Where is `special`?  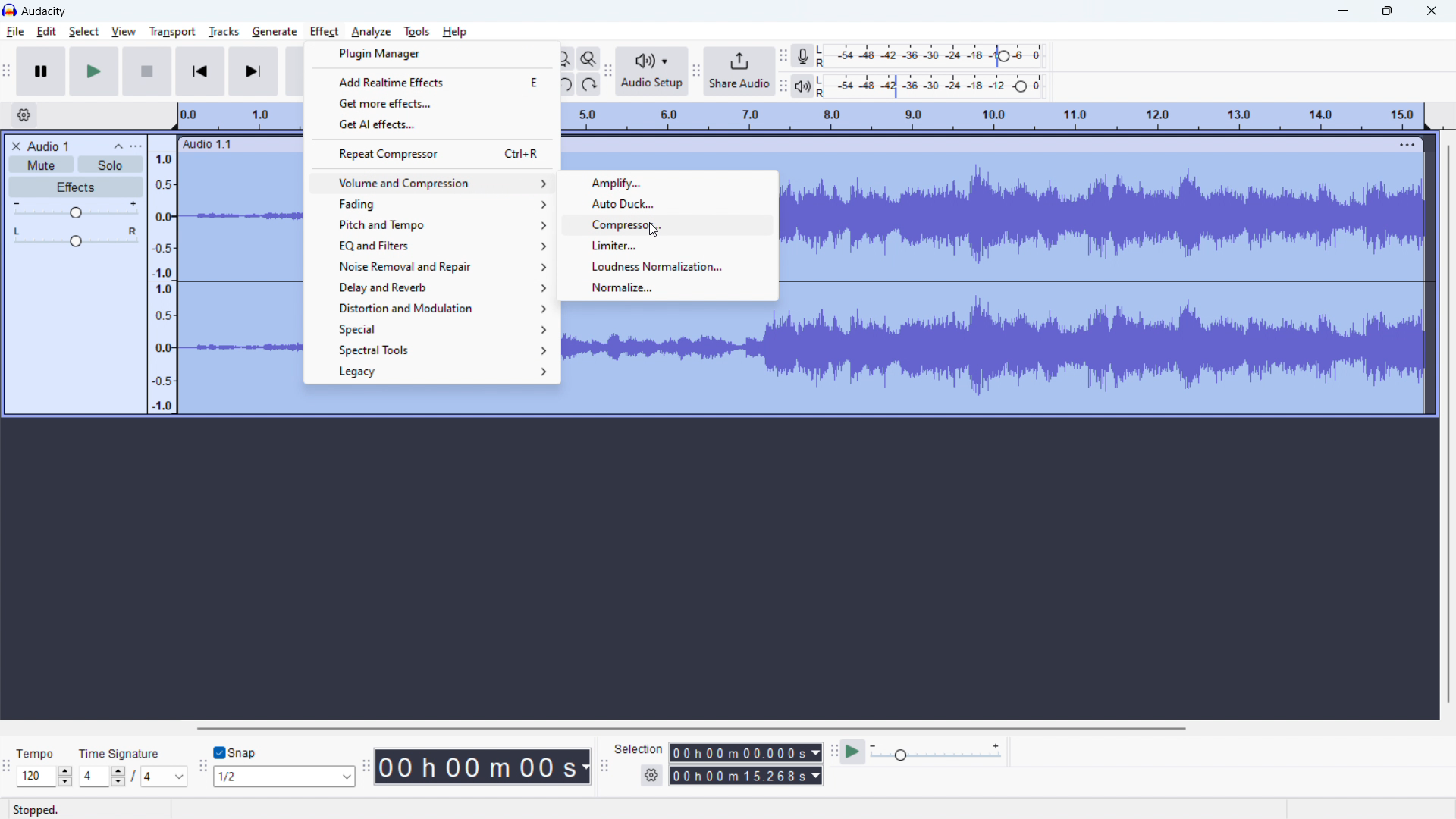 special is located at coordinates (430, 328).